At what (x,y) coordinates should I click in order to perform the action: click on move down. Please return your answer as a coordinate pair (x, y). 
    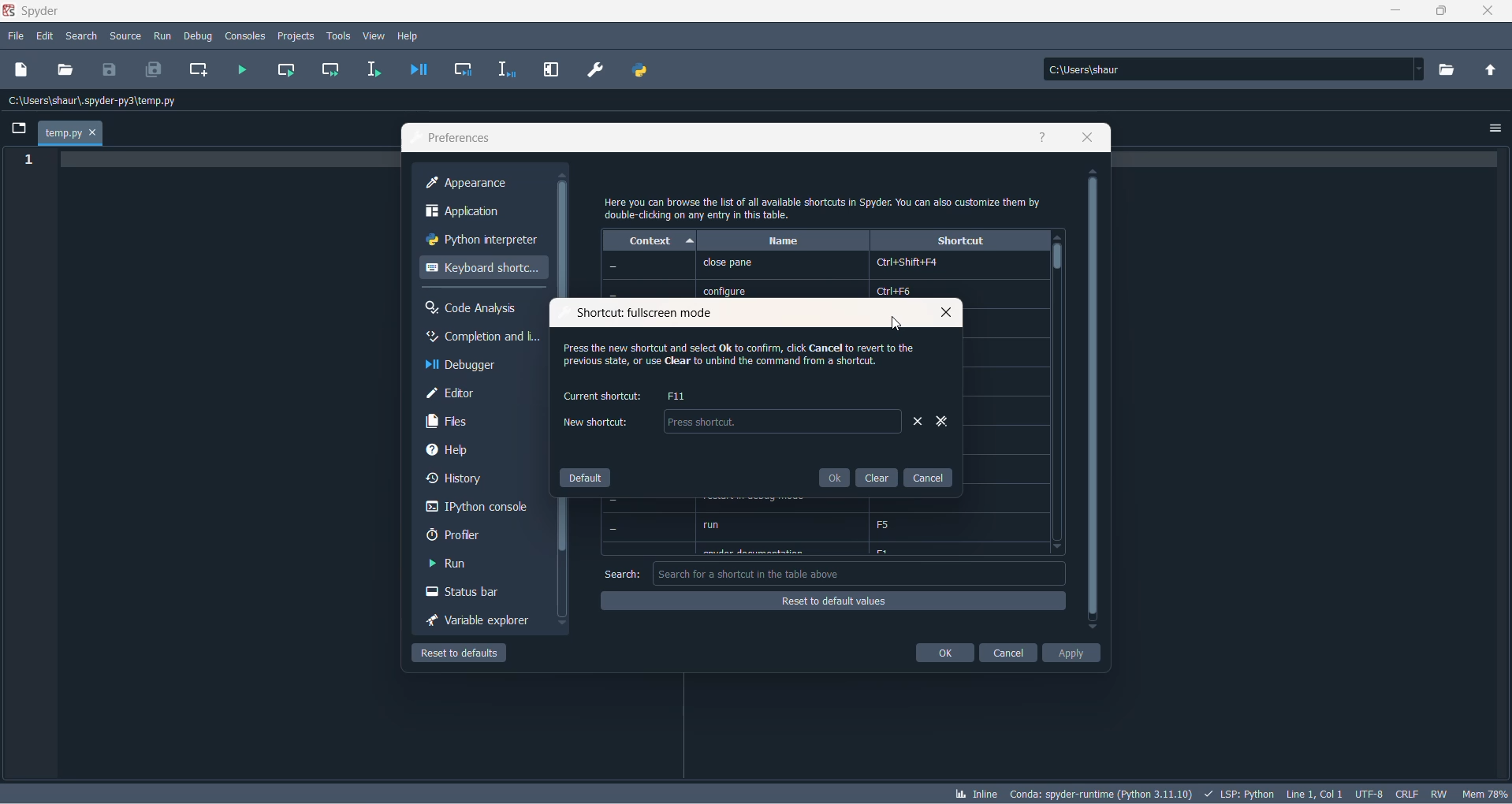
    Looking at the image, I should click on (564, 624).